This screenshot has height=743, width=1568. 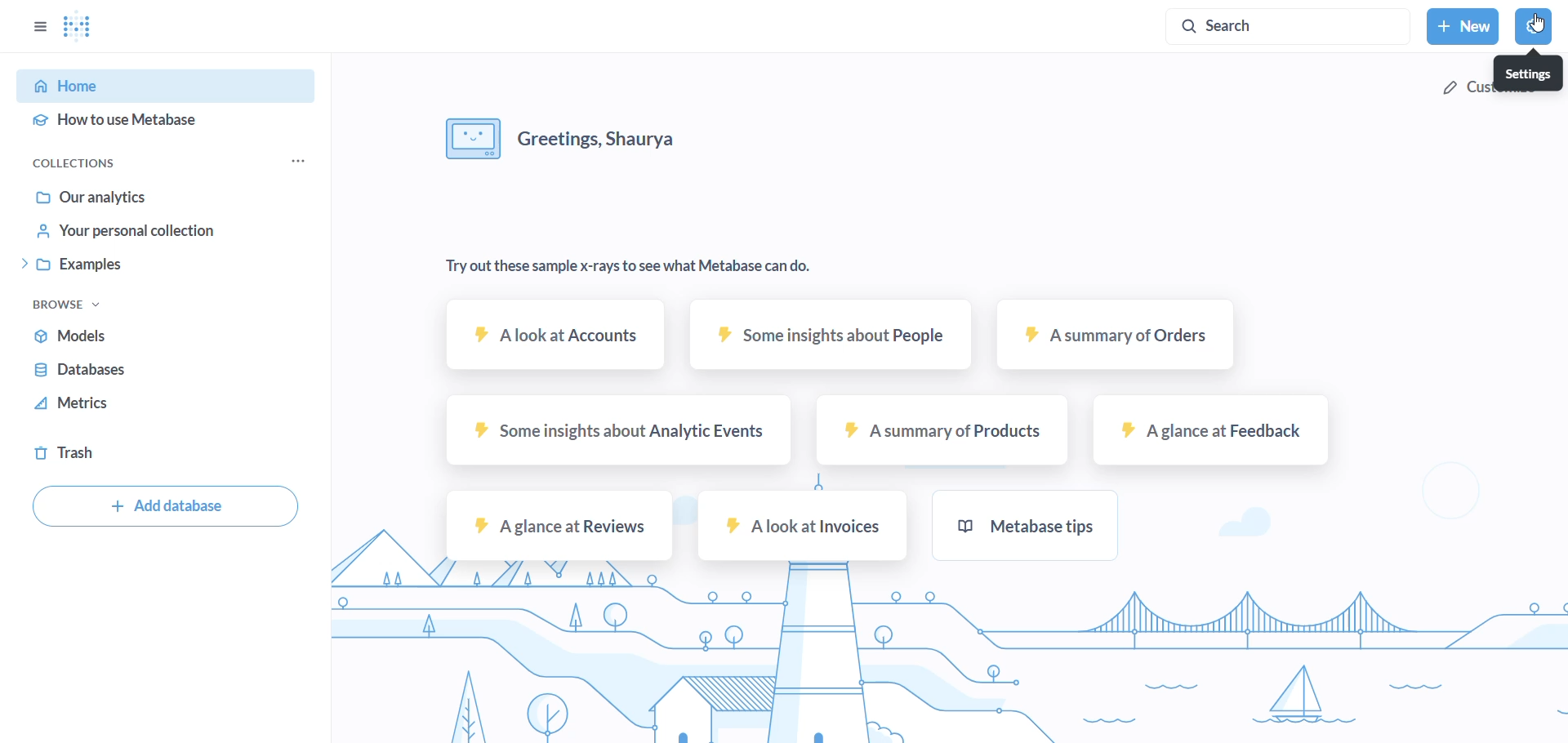 What do you see at coordinates (555, 524) in the screenshot?
I see `A glance at Reviews sample` at bounding box center [555, 524].